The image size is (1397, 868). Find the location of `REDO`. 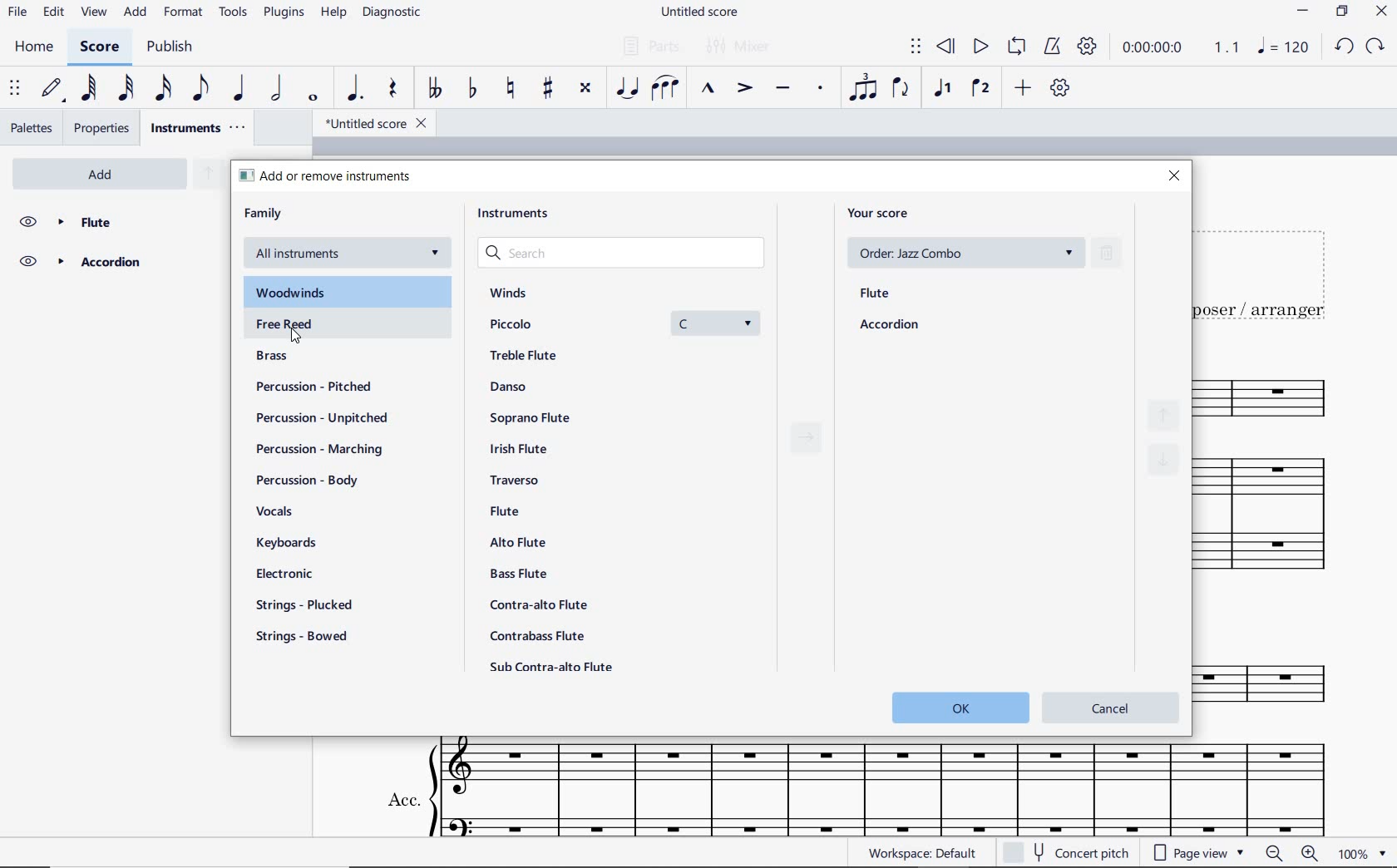

REDO is located at coordinates (1376, 47).